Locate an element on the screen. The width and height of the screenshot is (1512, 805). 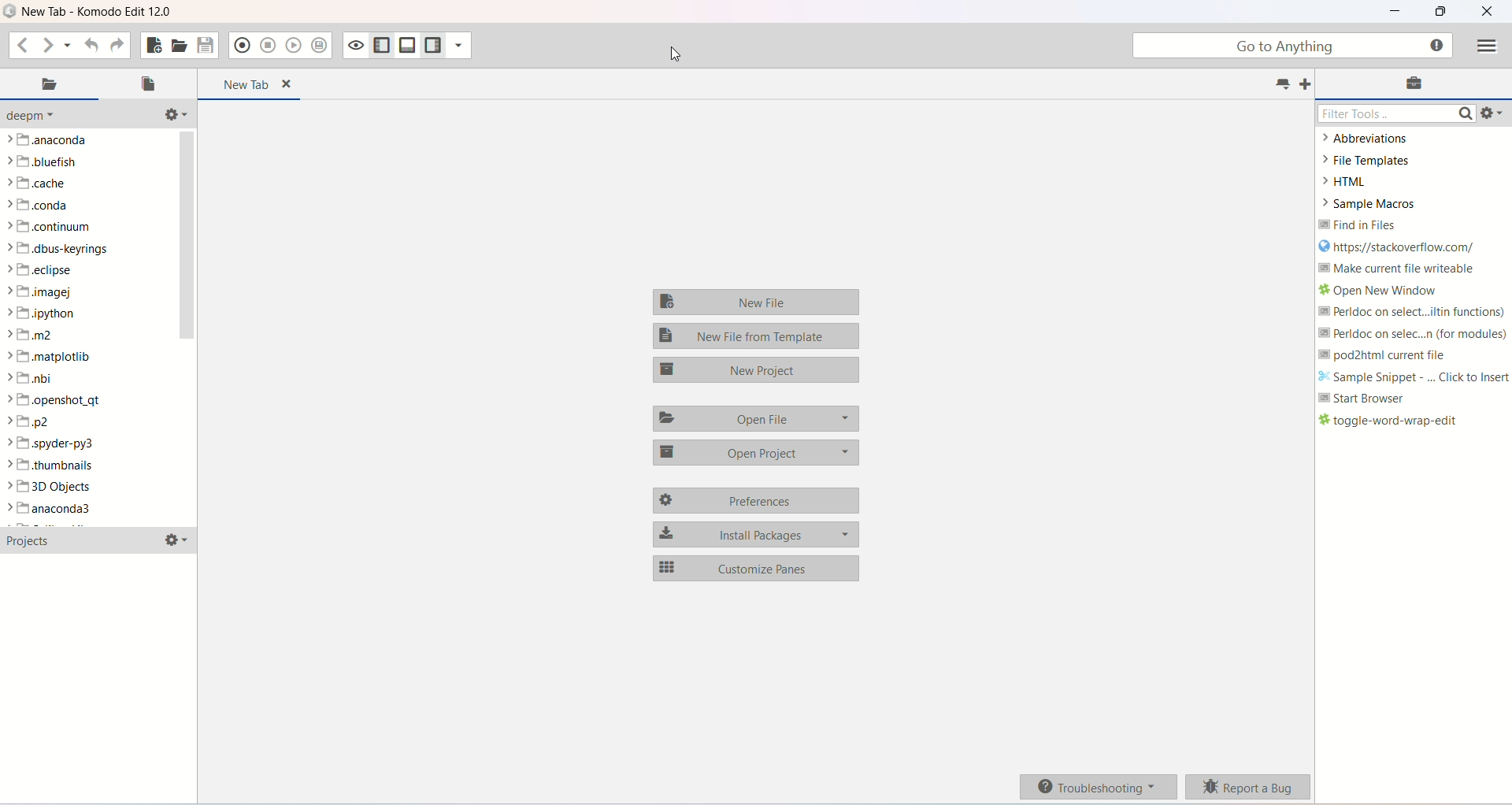
FILE TEMPLATES is located at coordinates (1367, 162).